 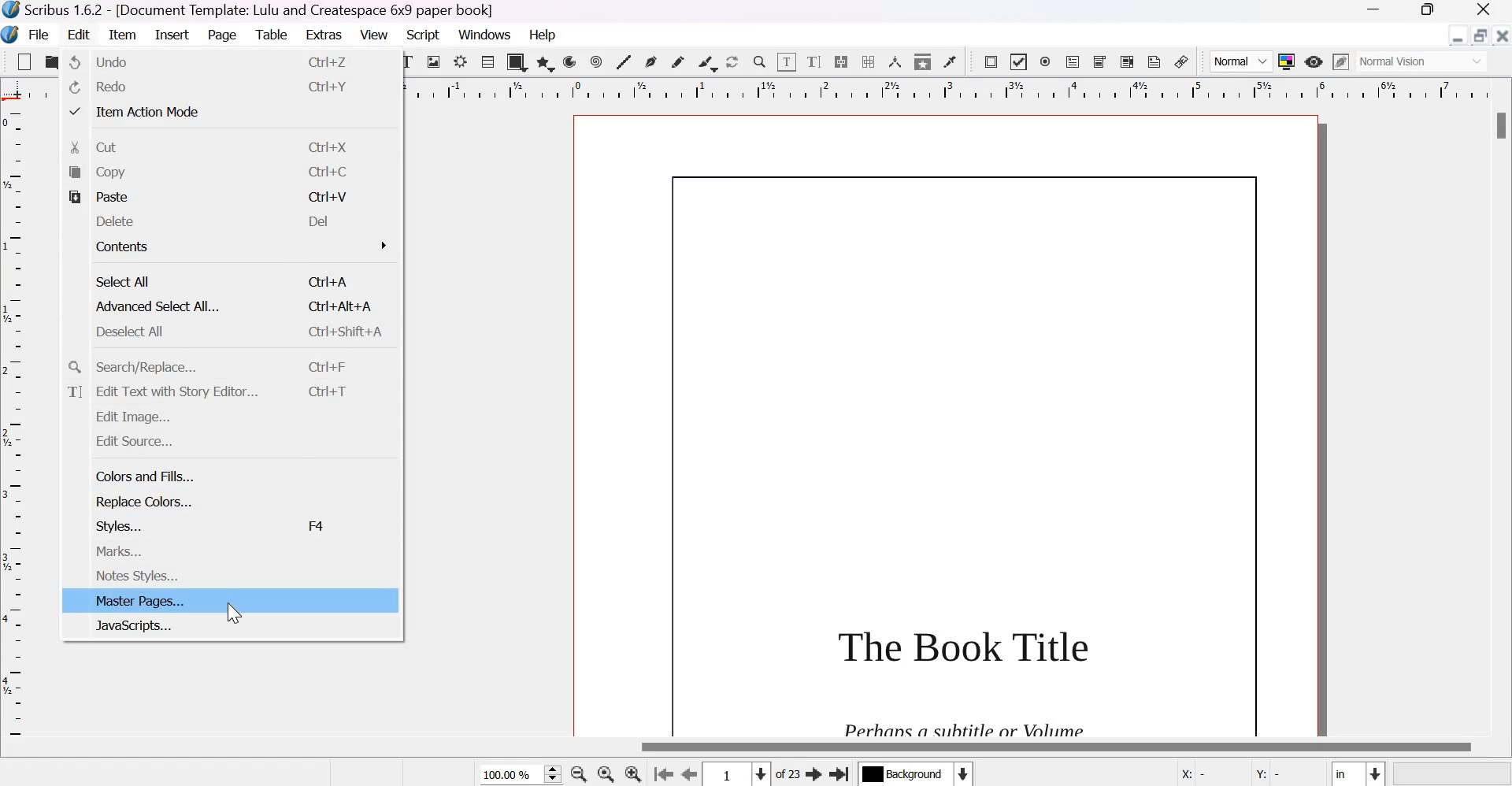 I want to click on Go the last page, so click(x=840, y=773).